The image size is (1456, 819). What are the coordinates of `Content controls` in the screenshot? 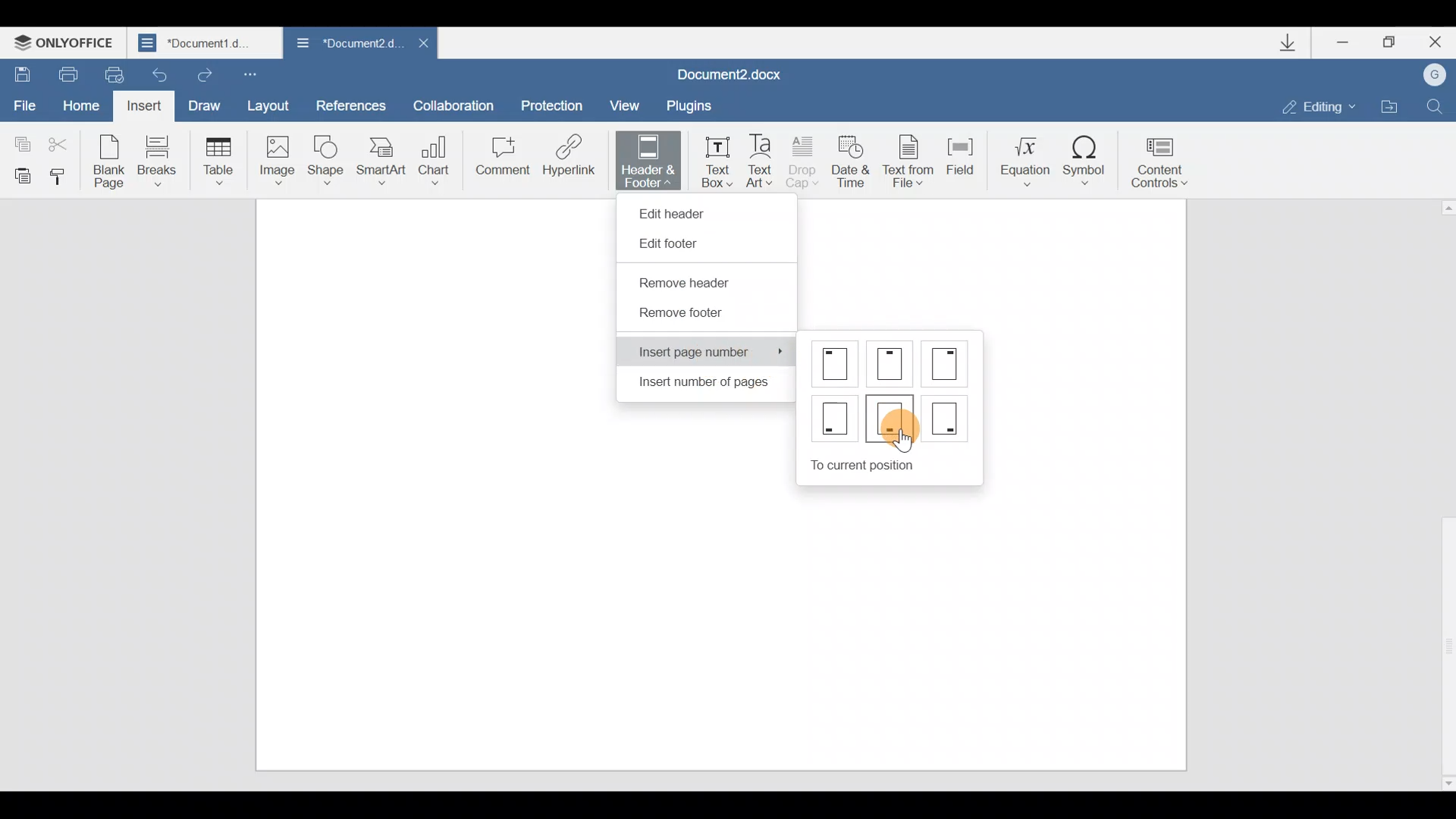 It's located at (1168, 158).